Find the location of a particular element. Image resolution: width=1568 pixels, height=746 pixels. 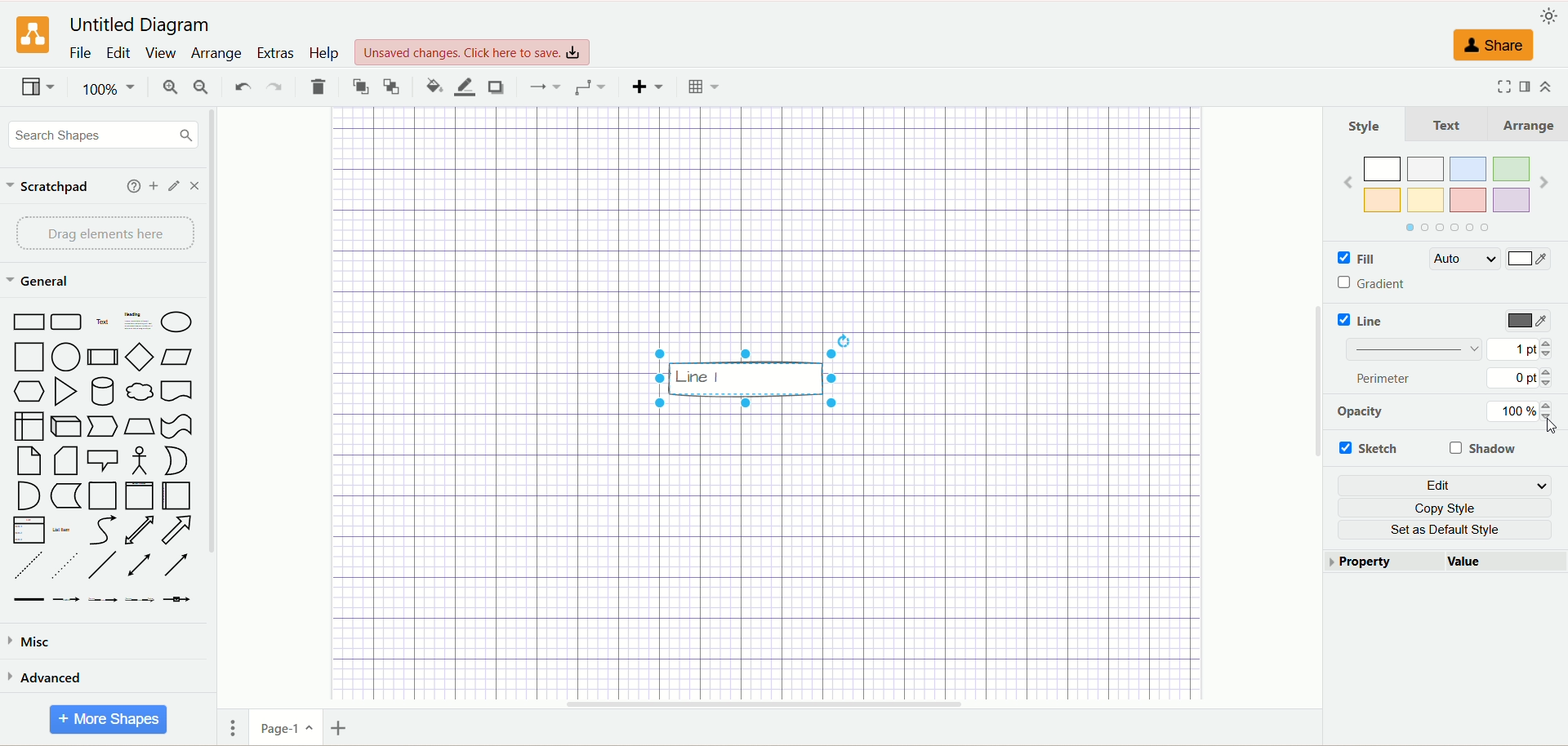

to back is located at coordinates (393, 87).